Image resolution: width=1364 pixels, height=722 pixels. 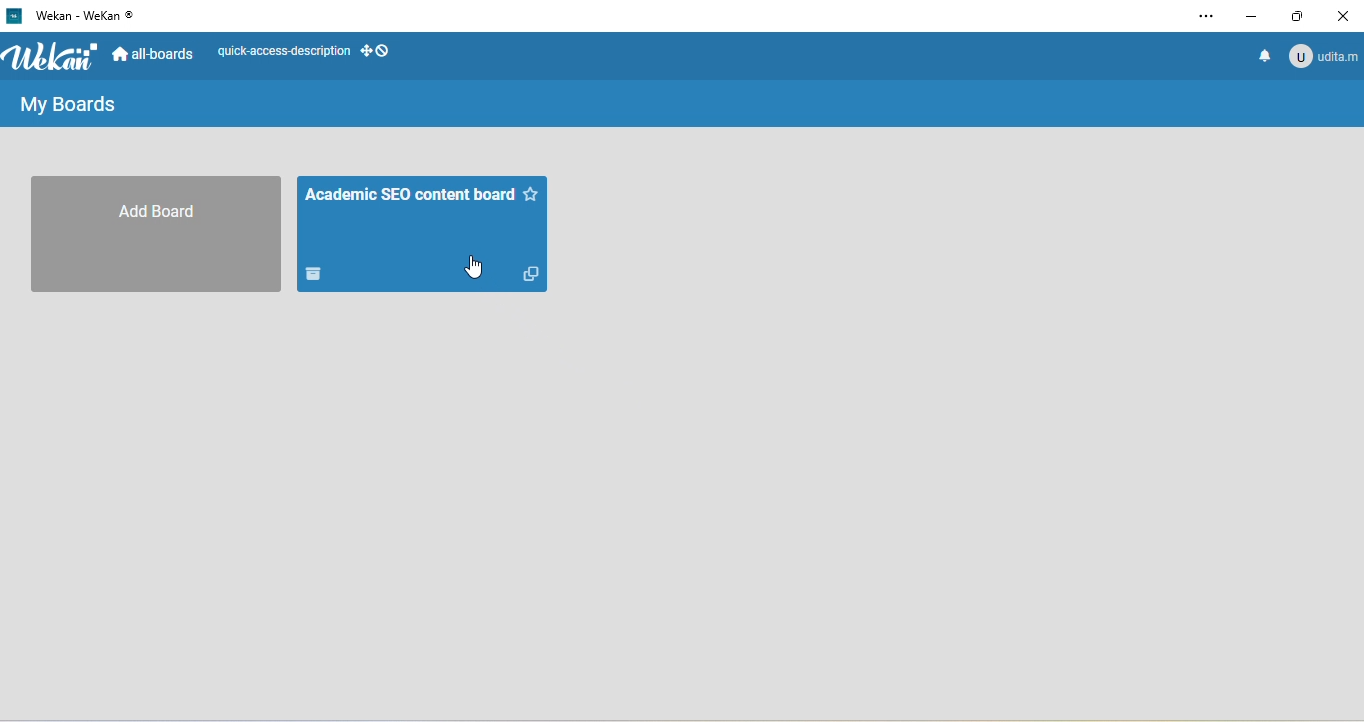 I want to click on quick access, so click(x=308, y=51).